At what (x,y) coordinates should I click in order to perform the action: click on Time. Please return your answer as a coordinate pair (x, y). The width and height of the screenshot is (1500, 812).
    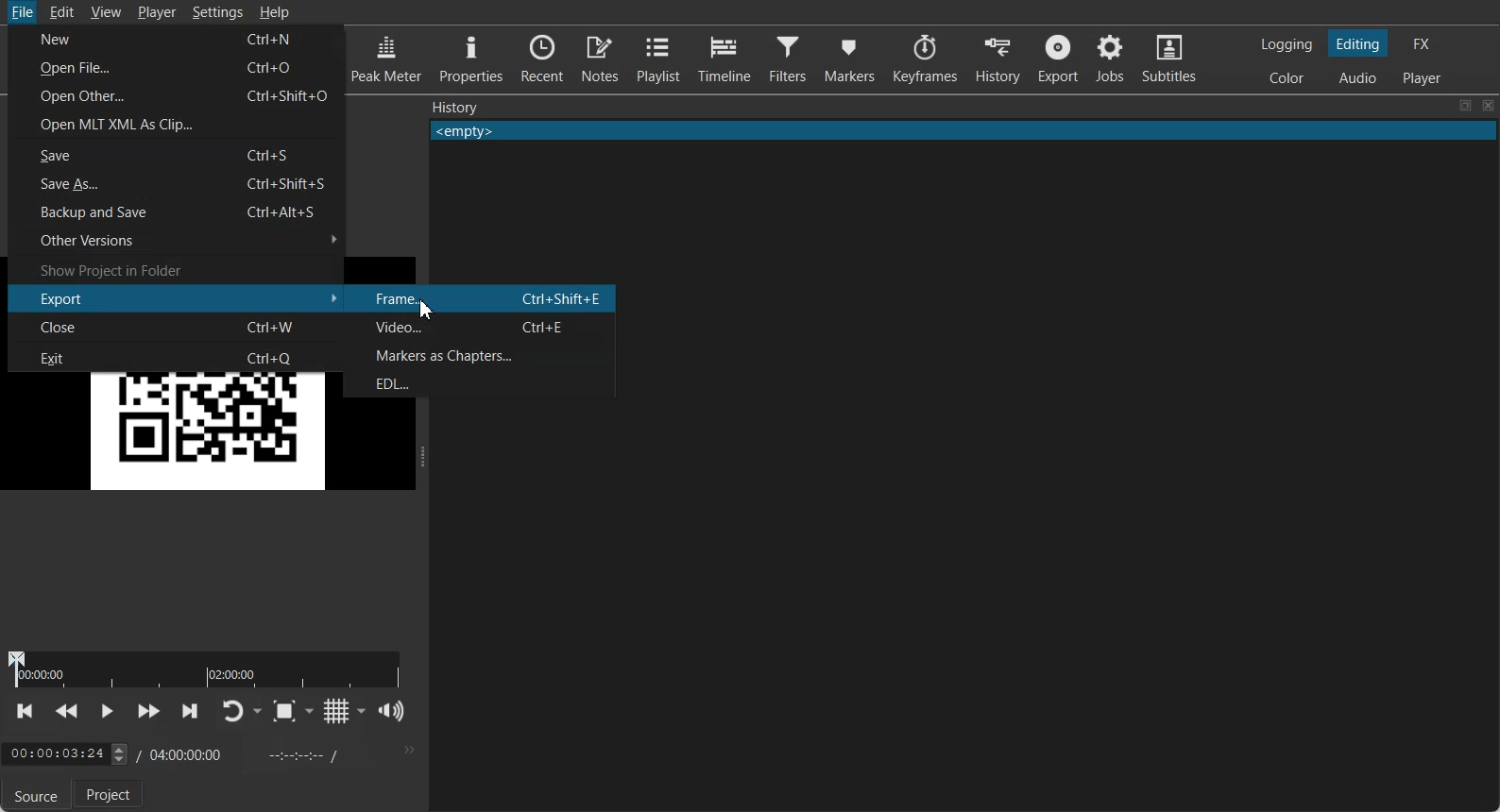
    Looking at the image, I should click on (54, 754).